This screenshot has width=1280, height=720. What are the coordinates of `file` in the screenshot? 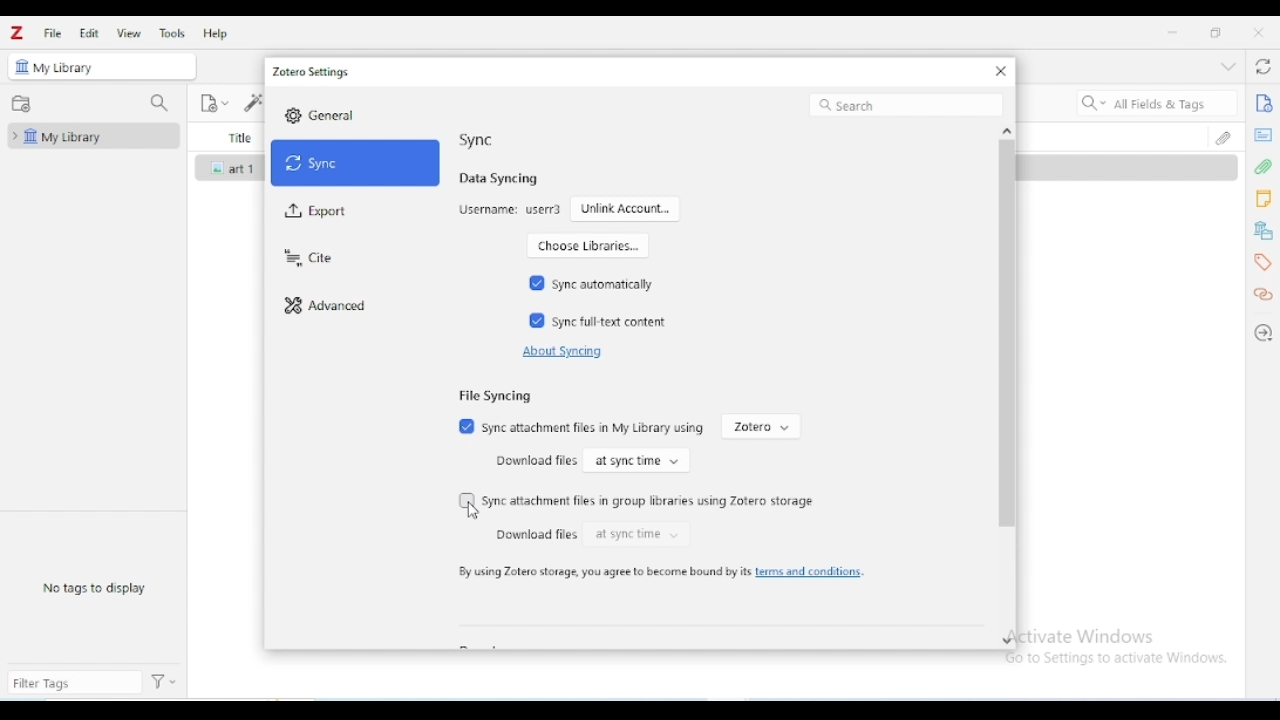 It's located at (52, 34).